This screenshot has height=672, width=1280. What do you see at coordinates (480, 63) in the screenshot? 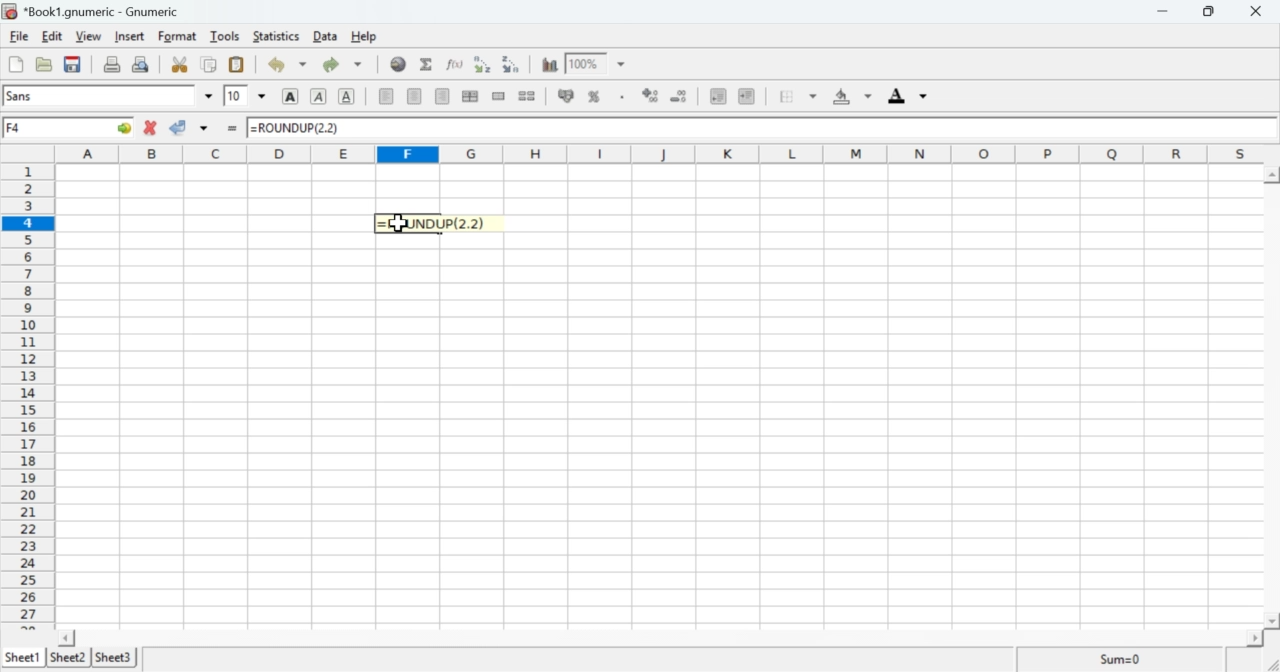
I see `Sort in ascending` at bounding box center [480, 63].